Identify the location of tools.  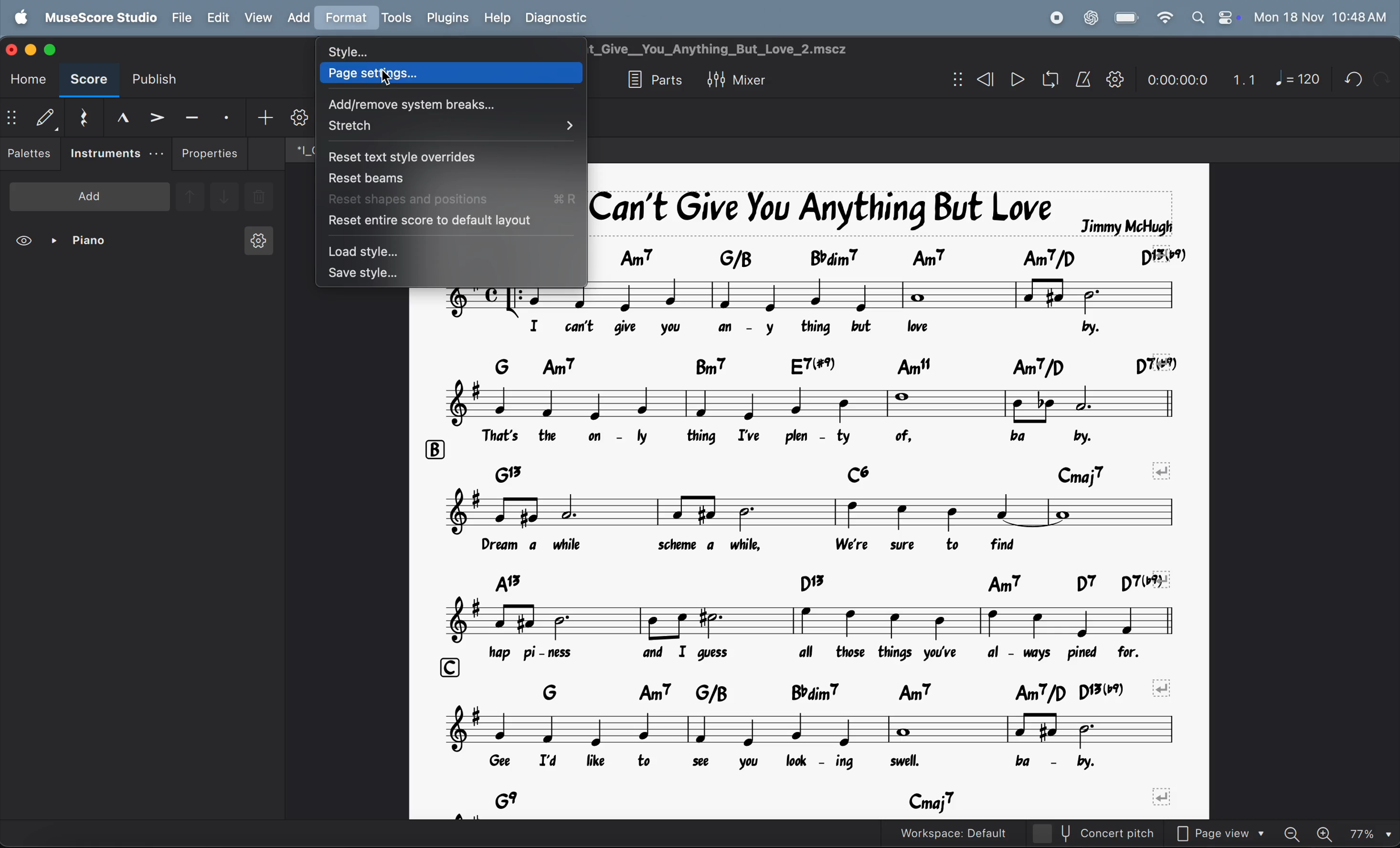
(396, 19).